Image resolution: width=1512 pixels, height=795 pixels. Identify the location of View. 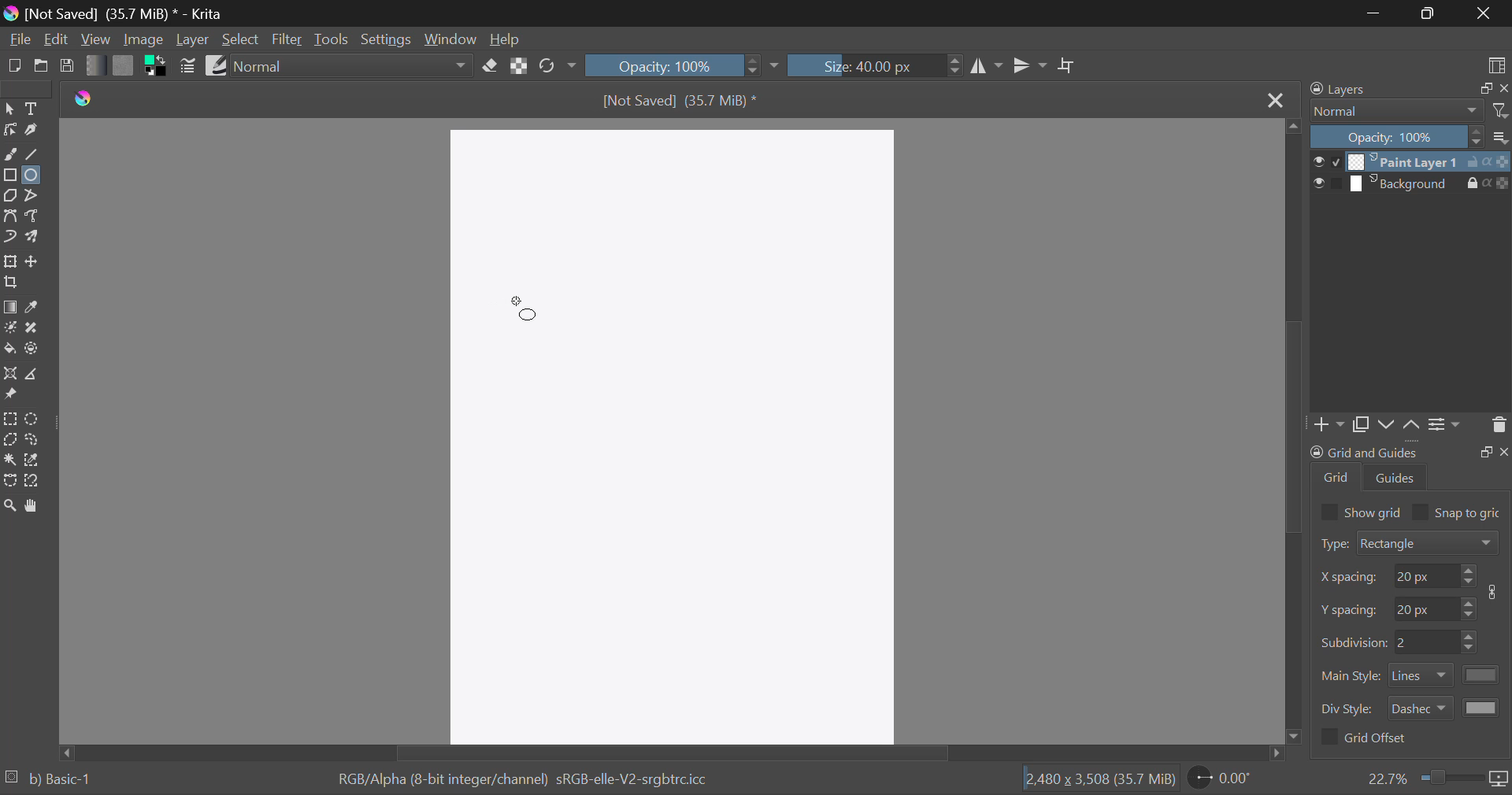
(96, 41).